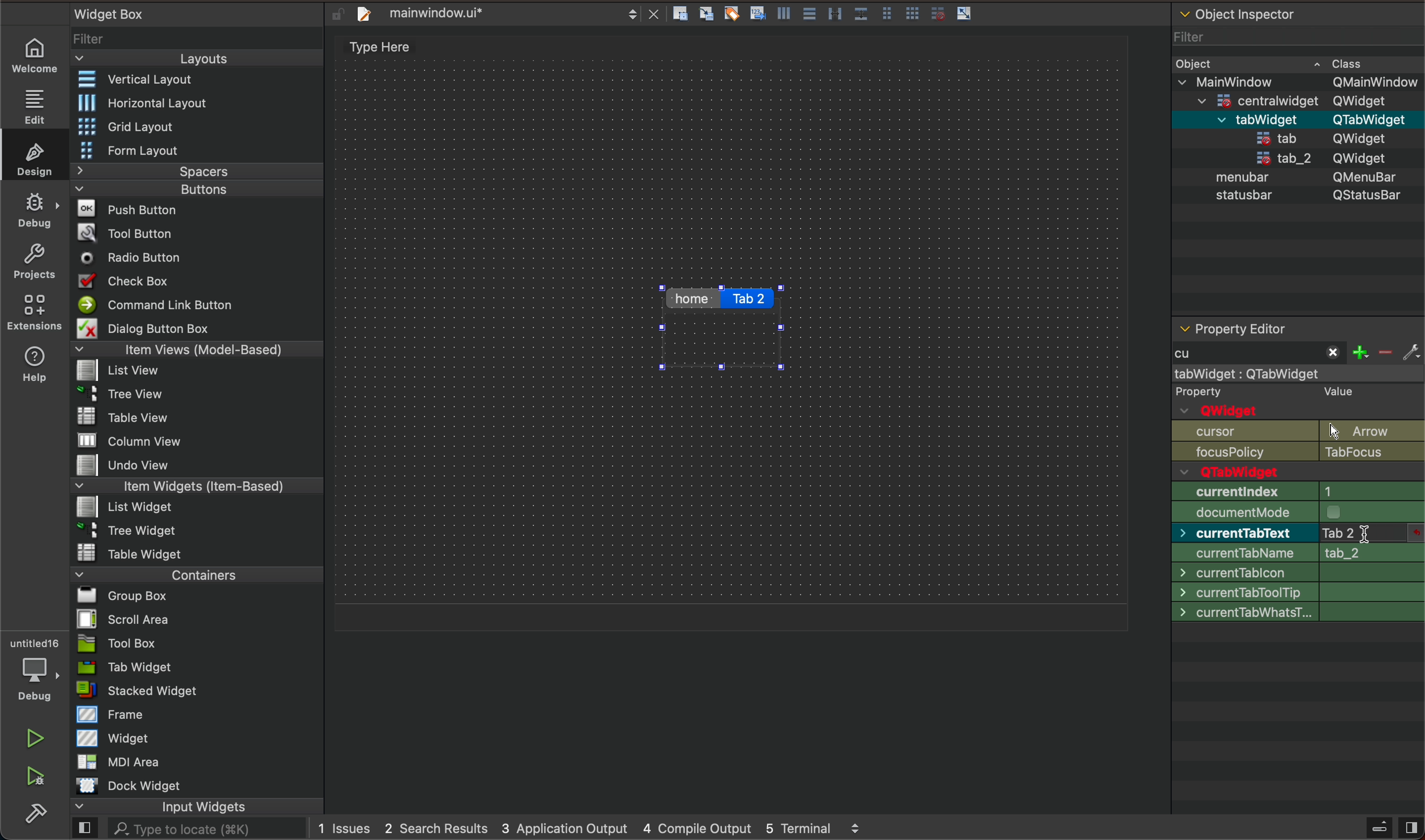  What do you see at coordinates (1303, 440) in the screenshot?
I see `object name and Qwidget` at bounding box center [1303, 440].